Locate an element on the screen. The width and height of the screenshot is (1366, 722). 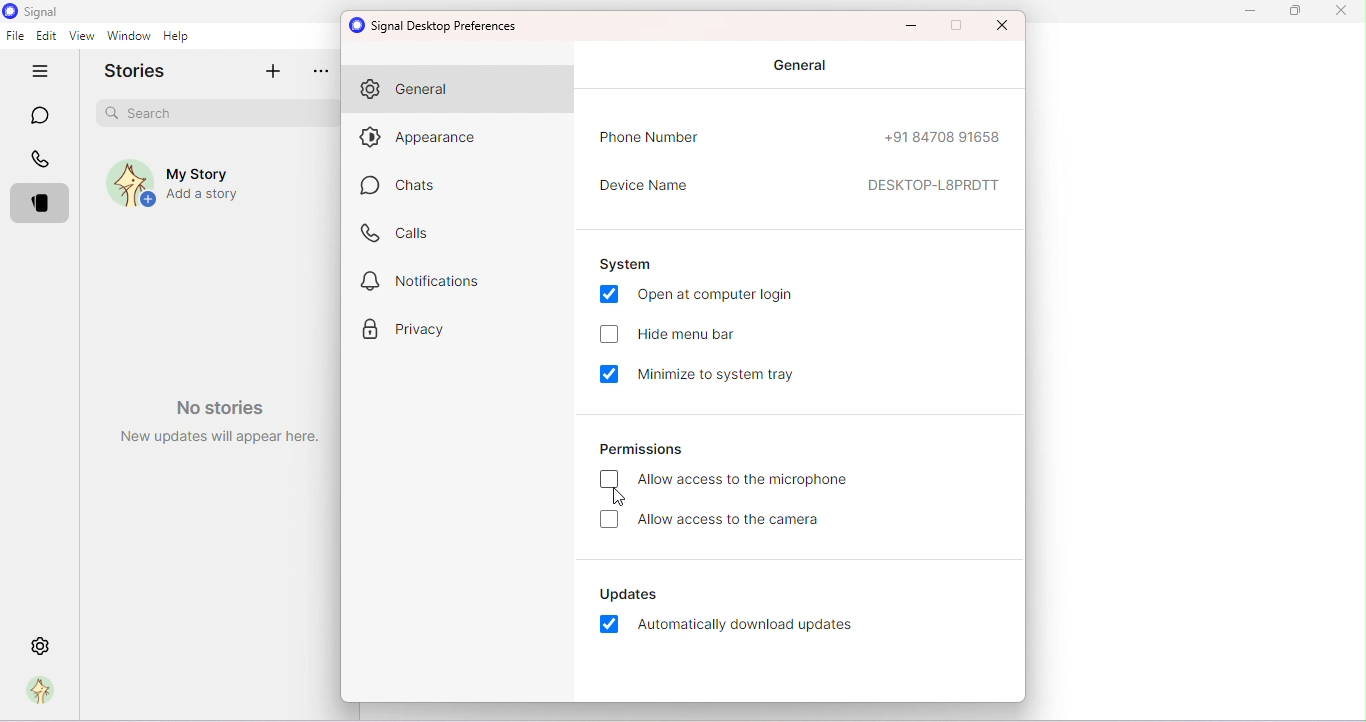
cursor is located at coordinates (615, 496).